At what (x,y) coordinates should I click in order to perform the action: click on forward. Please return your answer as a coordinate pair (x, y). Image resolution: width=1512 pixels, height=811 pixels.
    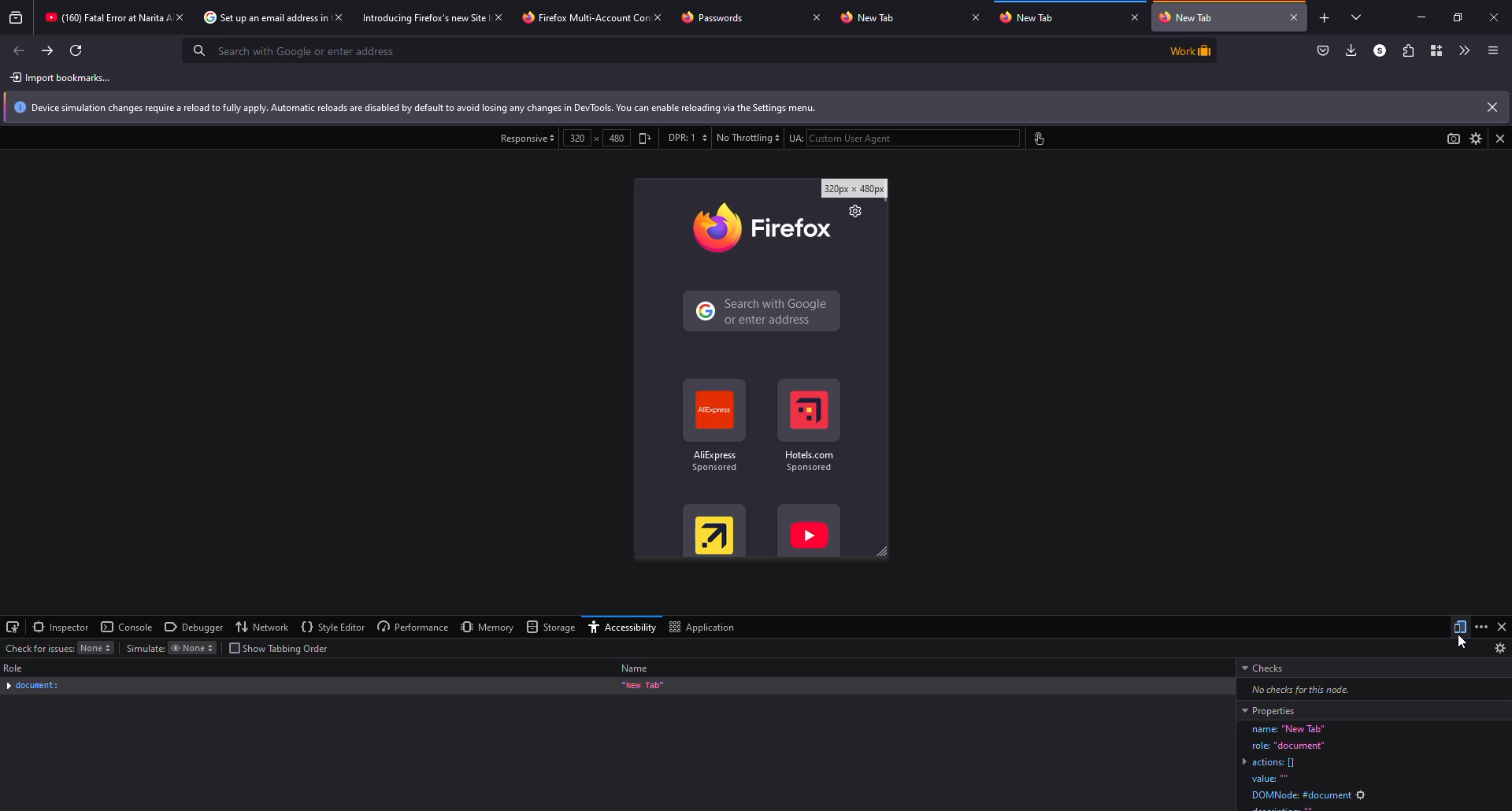
    Looking at the image, I should click on (48, 50).